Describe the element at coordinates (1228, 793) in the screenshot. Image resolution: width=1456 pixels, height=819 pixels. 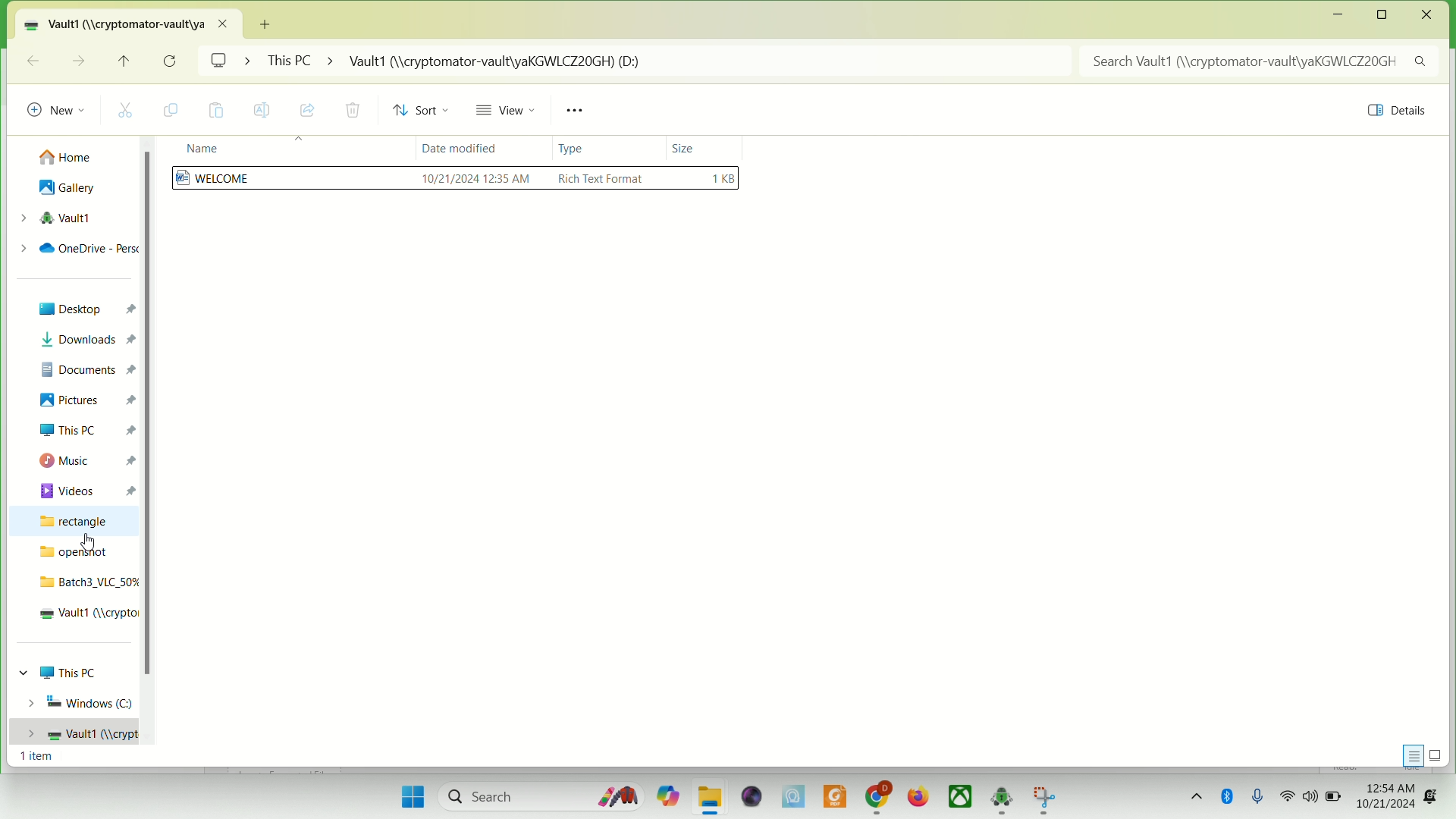
I see `Bluetooth` at that location.